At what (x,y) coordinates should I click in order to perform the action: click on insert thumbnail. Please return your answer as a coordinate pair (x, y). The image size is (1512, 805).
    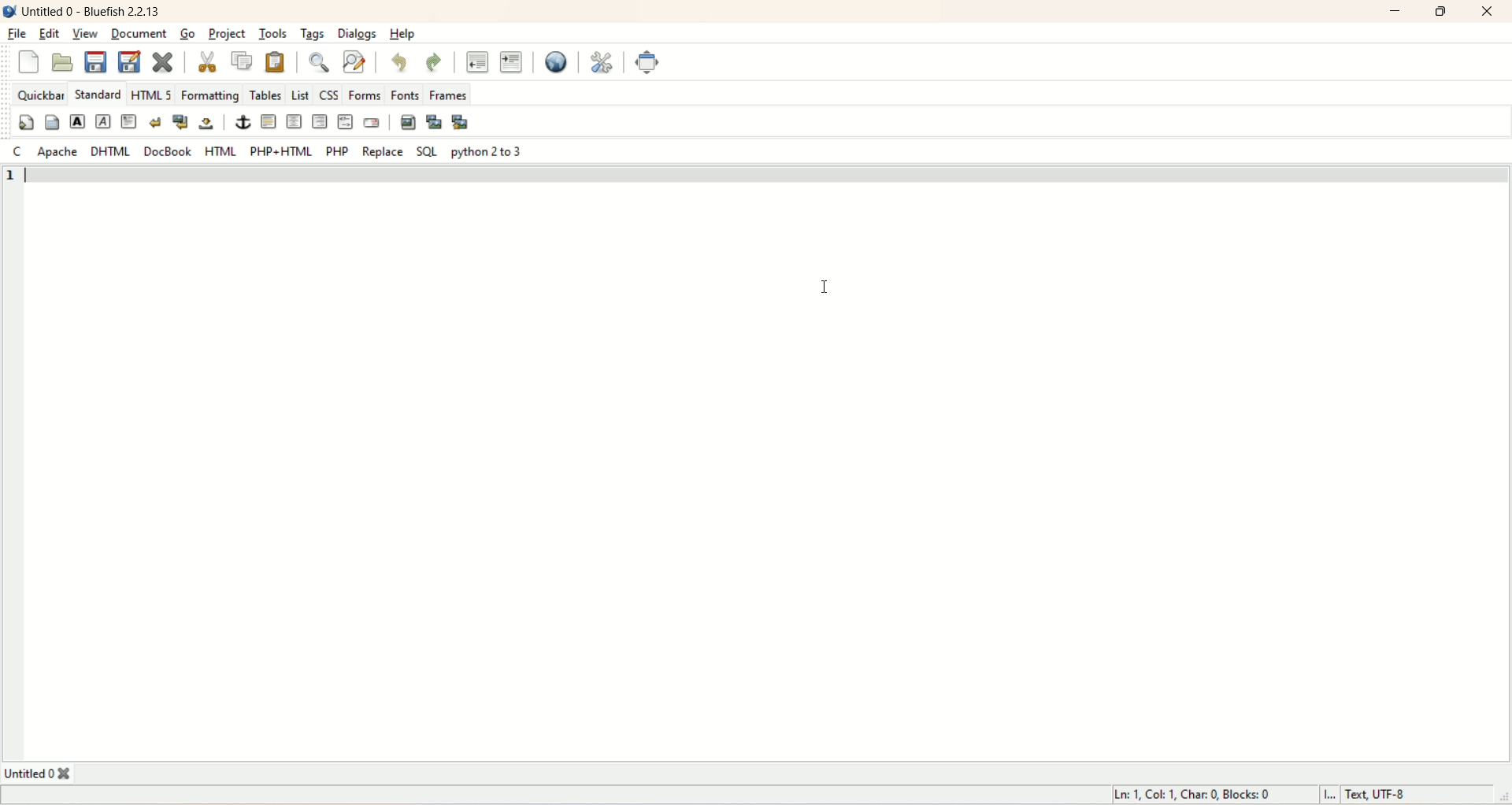
    Looking at the image, I should click on (434, 123).